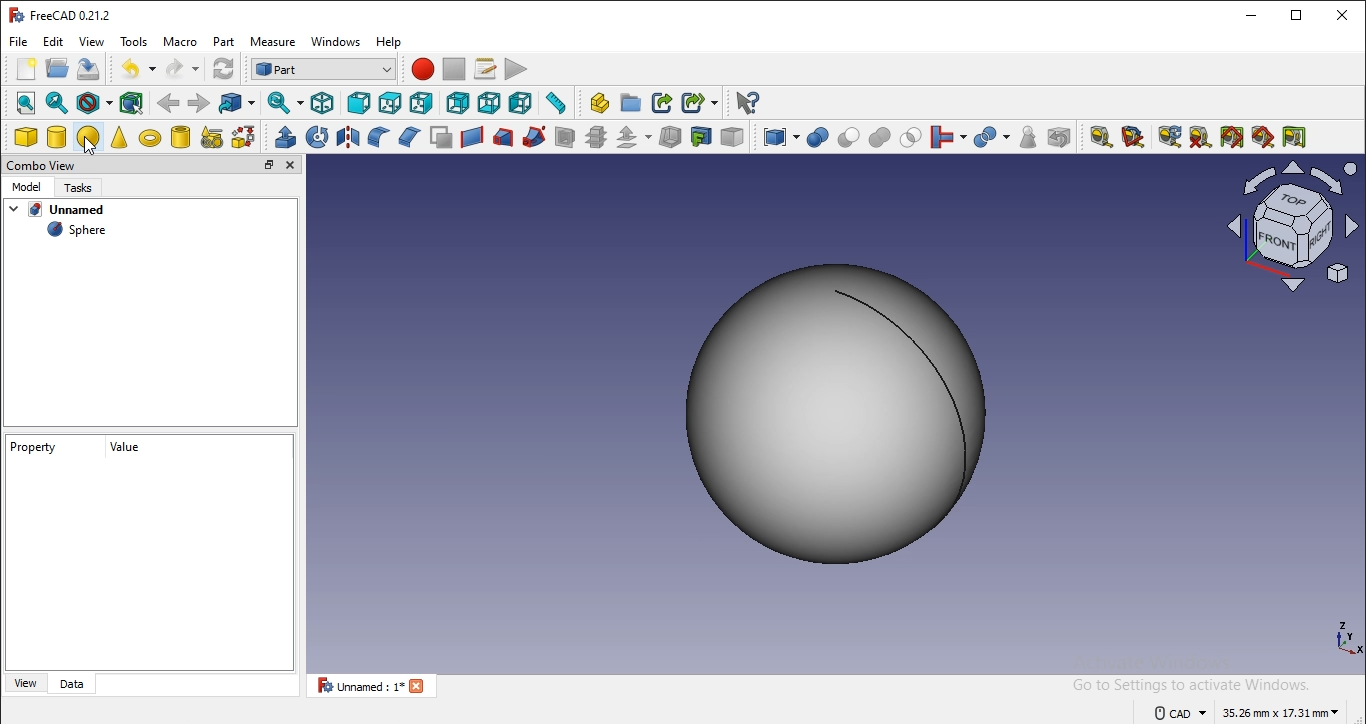 This screenshot has height=724, width=1366. I want to click on combo view, so click(41, 166).